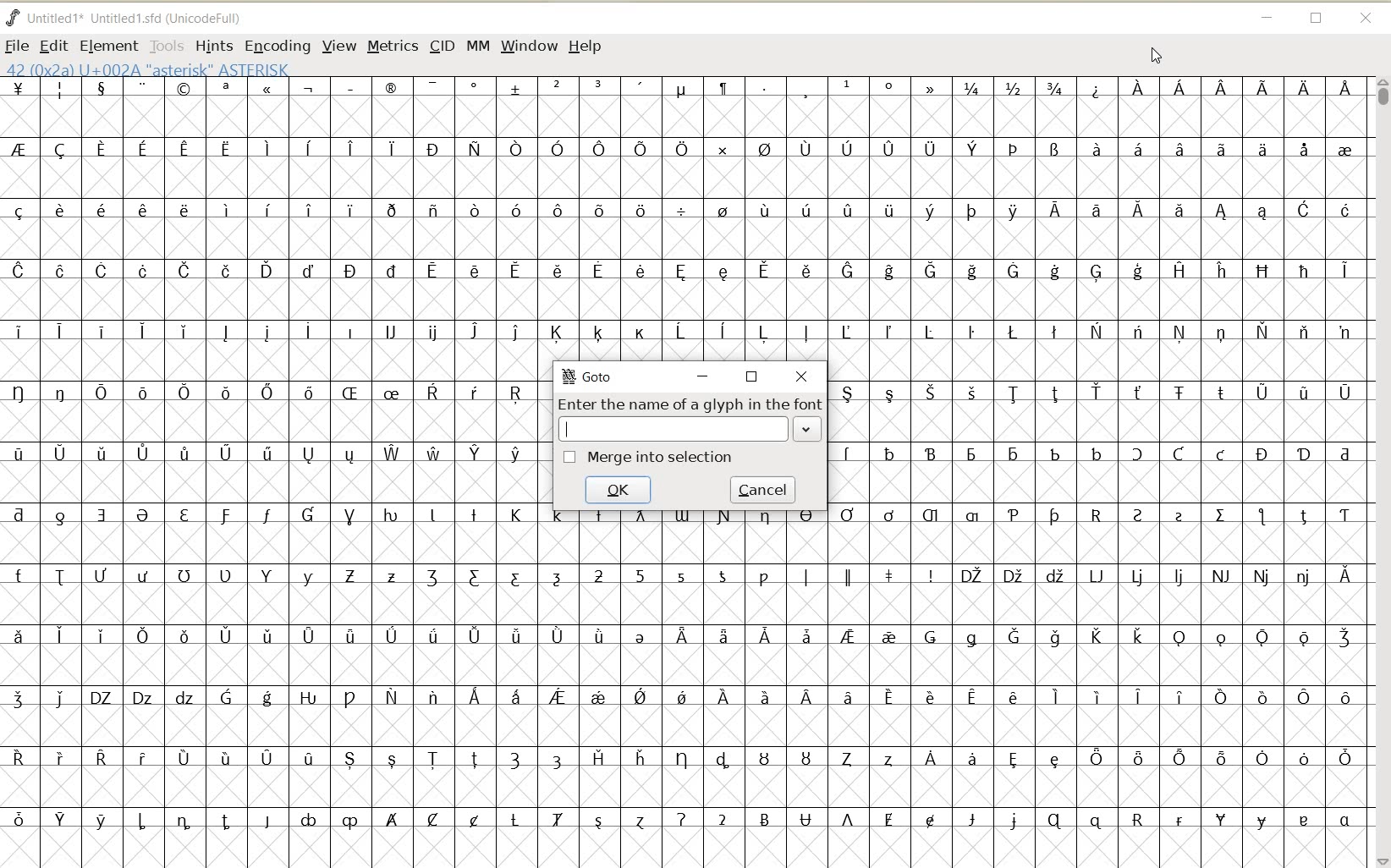 The width and height of the screenshot is (1391, 868). I want to click on expand, so click(806, 431).